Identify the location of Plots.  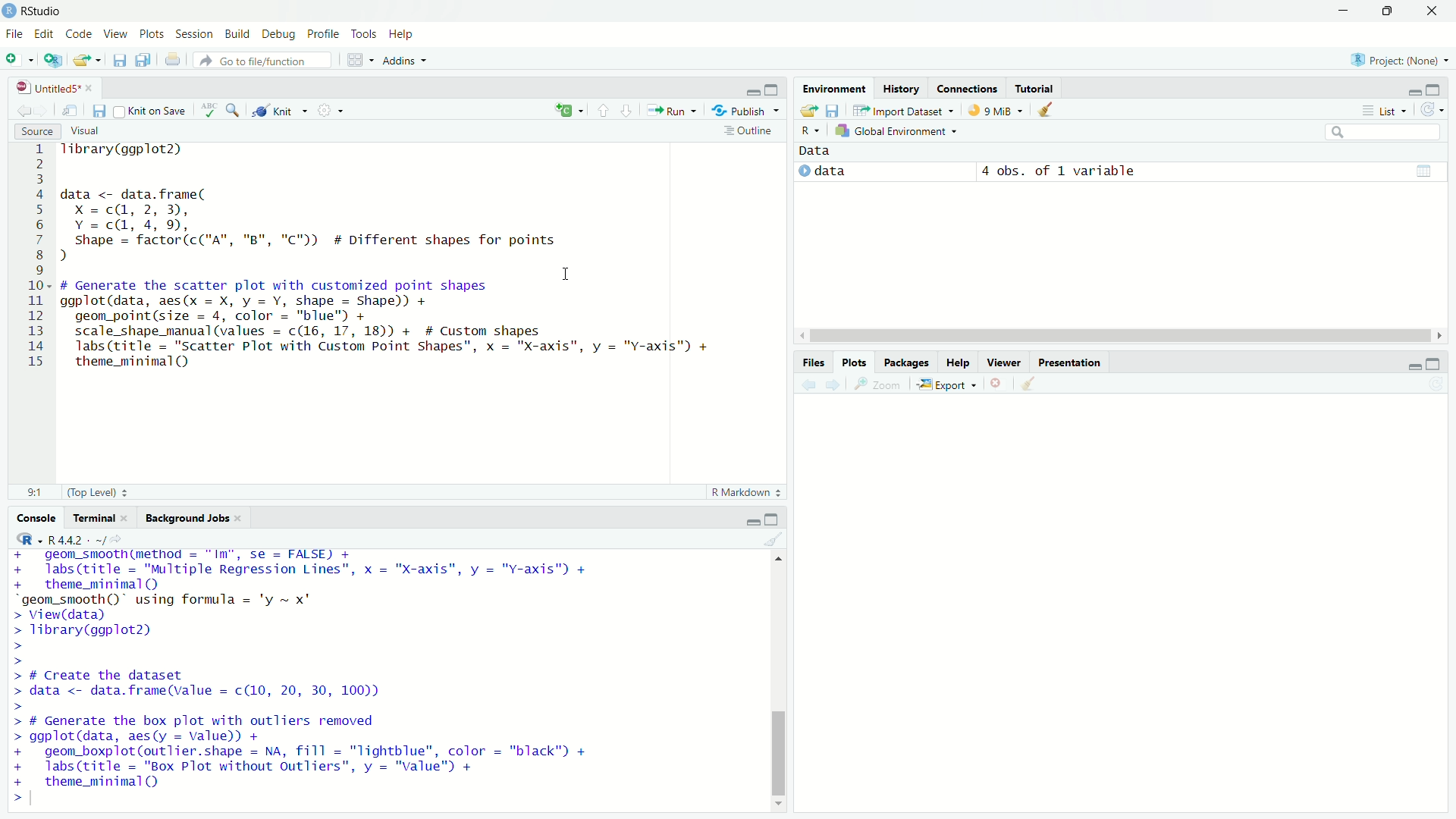
(152, 33).